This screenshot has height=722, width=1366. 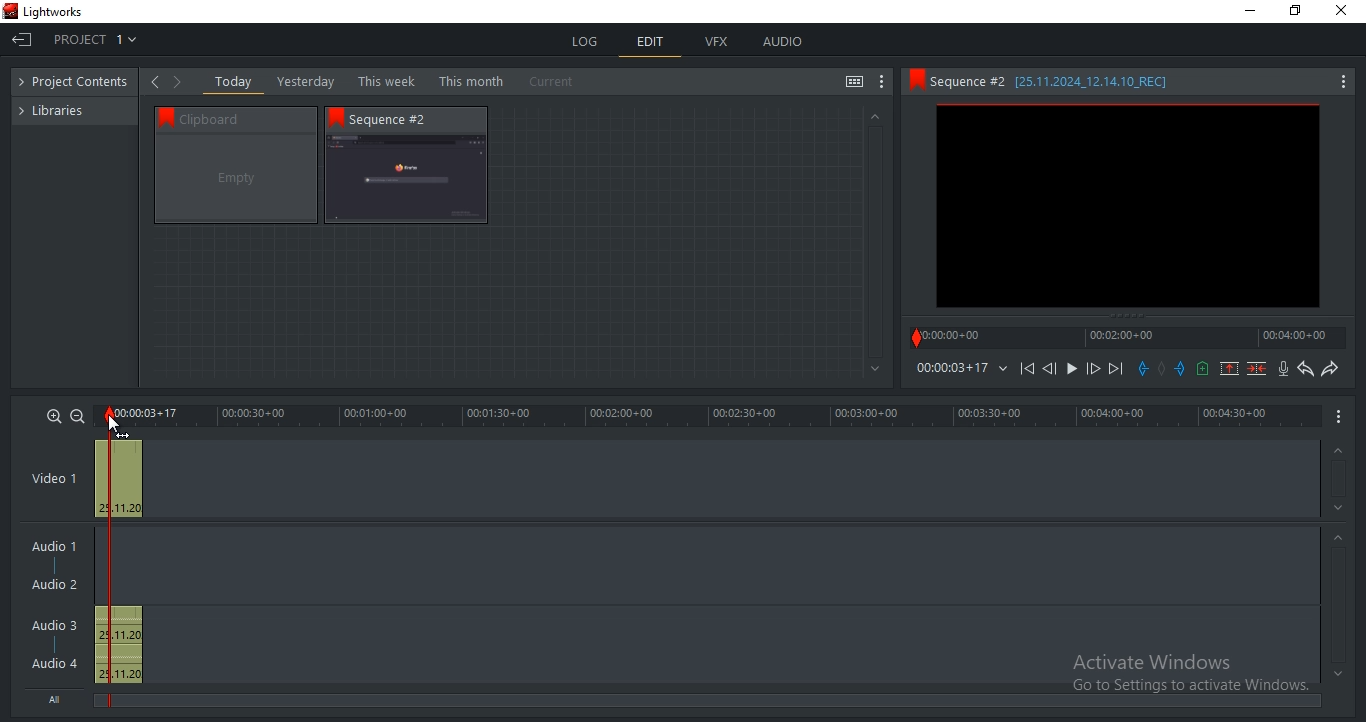 I want to click on Sequence #2, so click(x=399, y=119).